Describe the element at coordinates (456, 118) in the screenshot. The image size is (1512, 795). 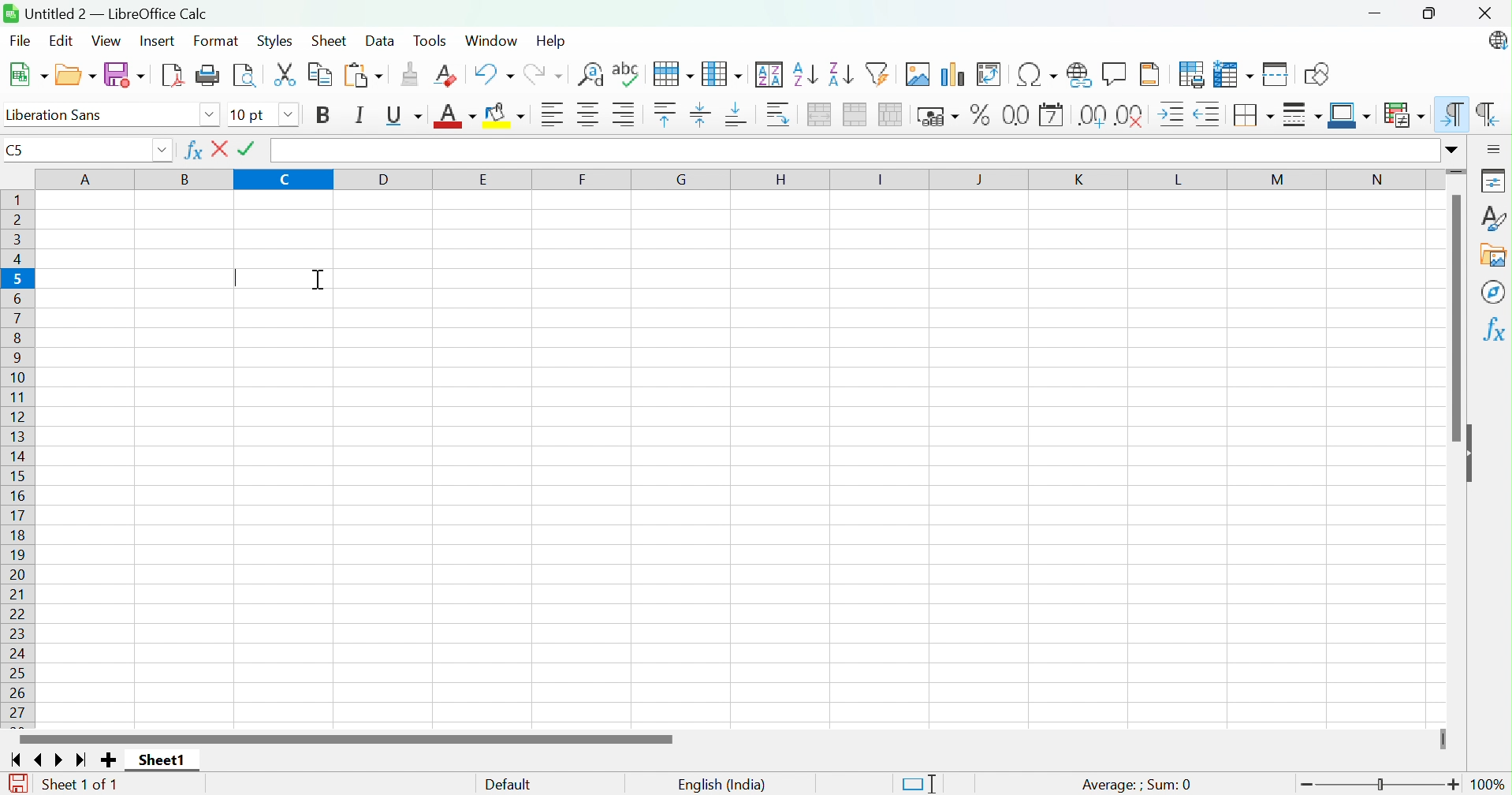
I see `Font color` at that location.